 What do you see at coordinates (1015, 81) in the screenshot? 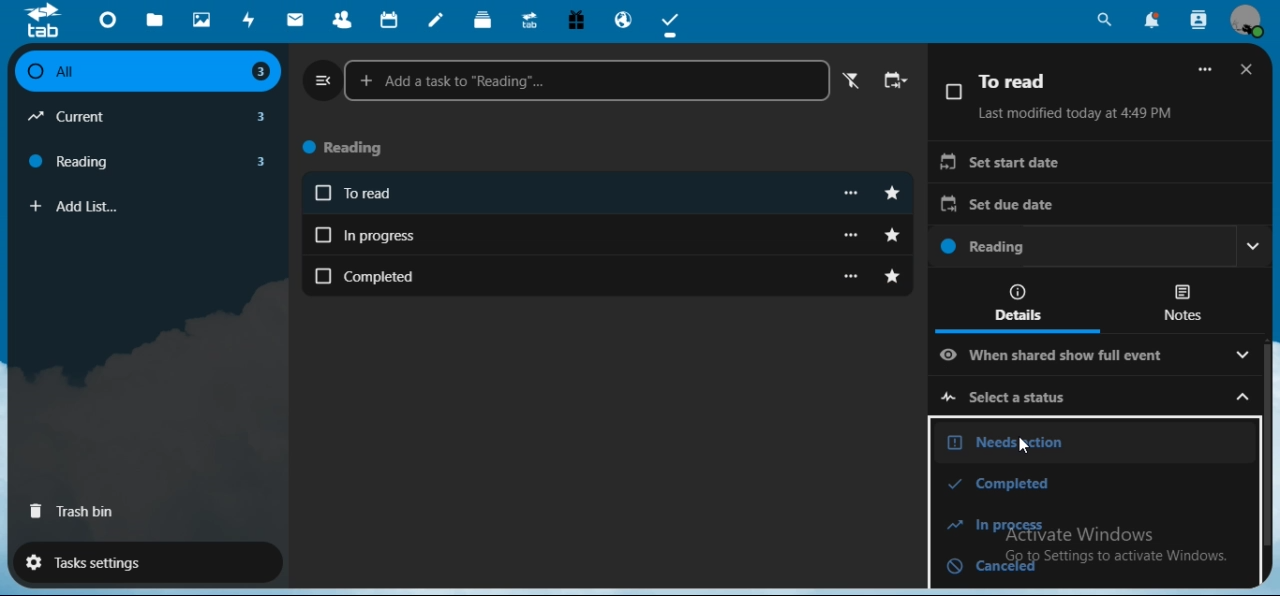
I see `To read` at bounding box center [1015, 81].